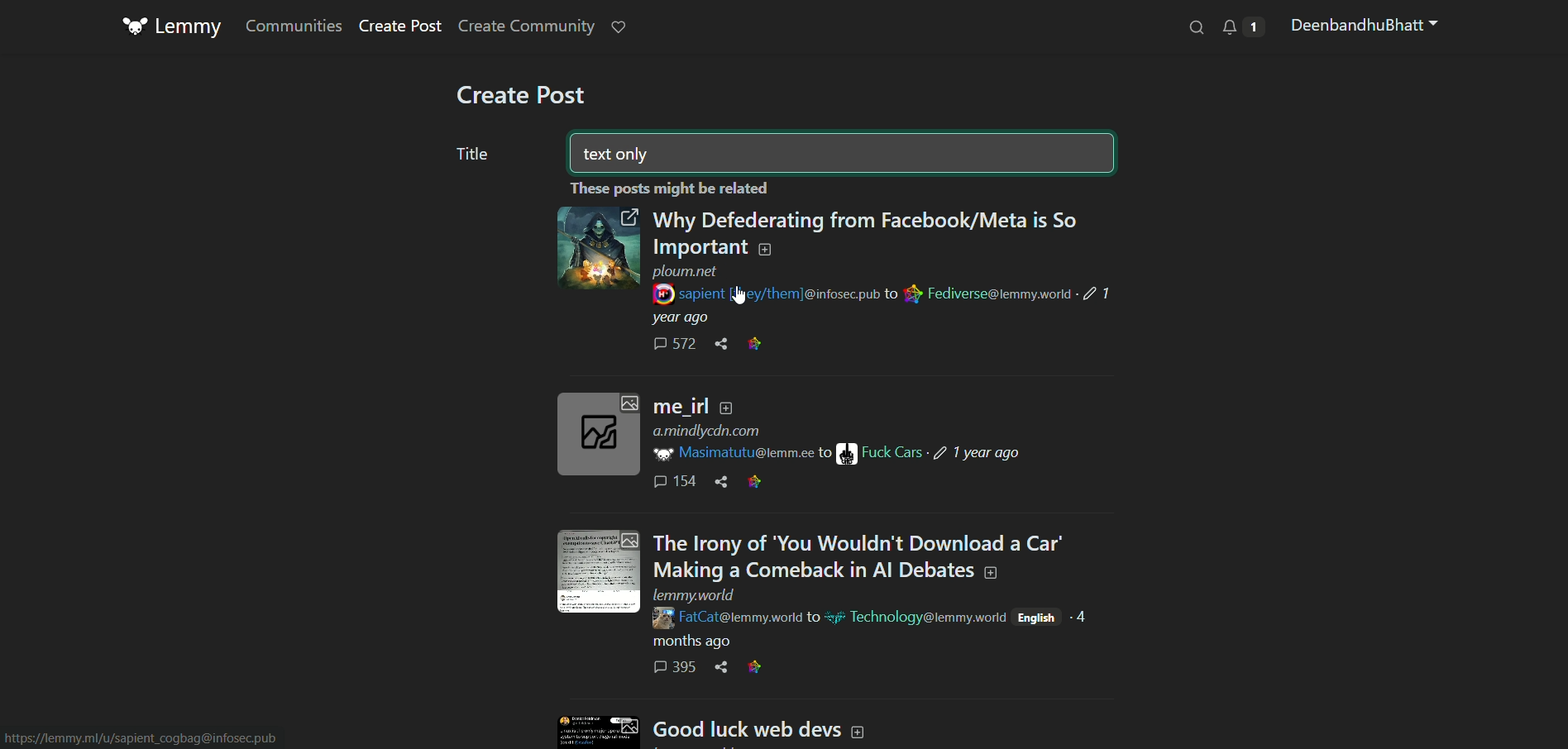 This screenshot has height=749, width=1568. Describe the element at coordinates (811, 618) in the screenshot. I see `to` at that location.